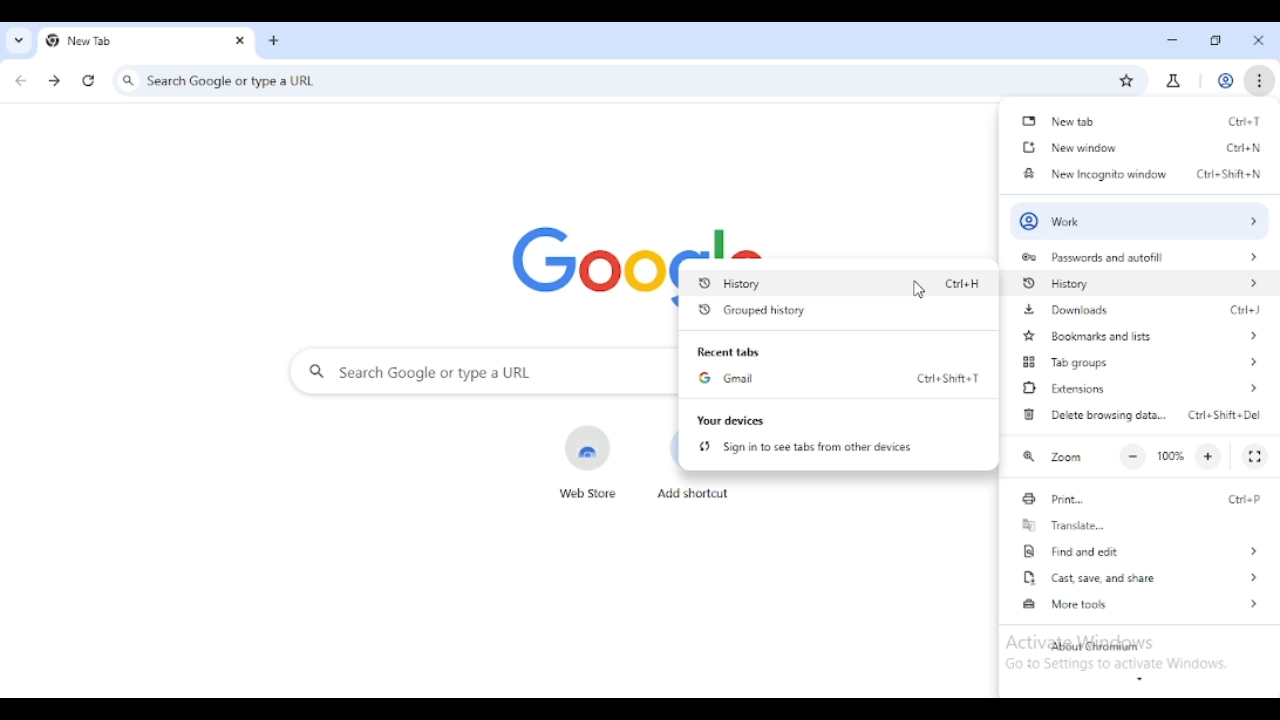 The width and height of the screenshot is (1280, 720). What do you see at coordinates (1059, 499) in the screenshot?
I see `print` at bounding box center [1059, 499].